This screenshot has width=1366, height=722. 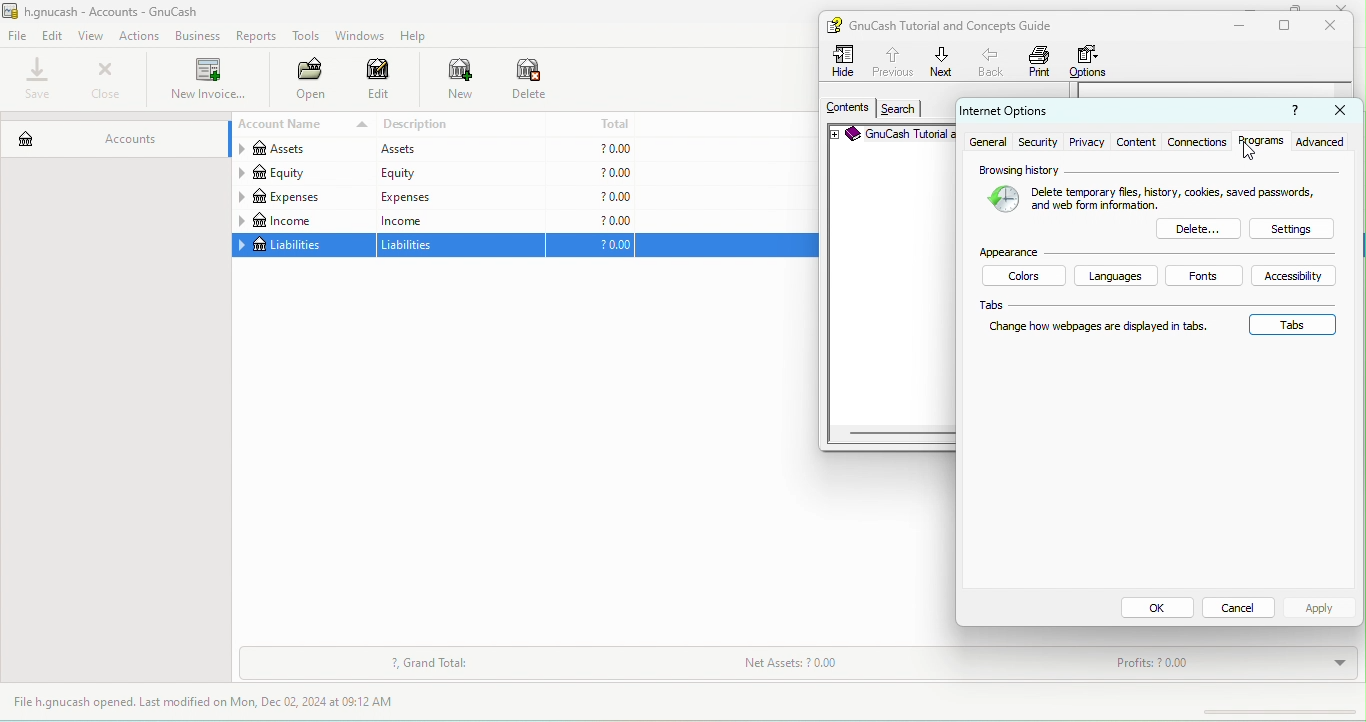 I want to click on bussiness, so click(x=198, y=36).